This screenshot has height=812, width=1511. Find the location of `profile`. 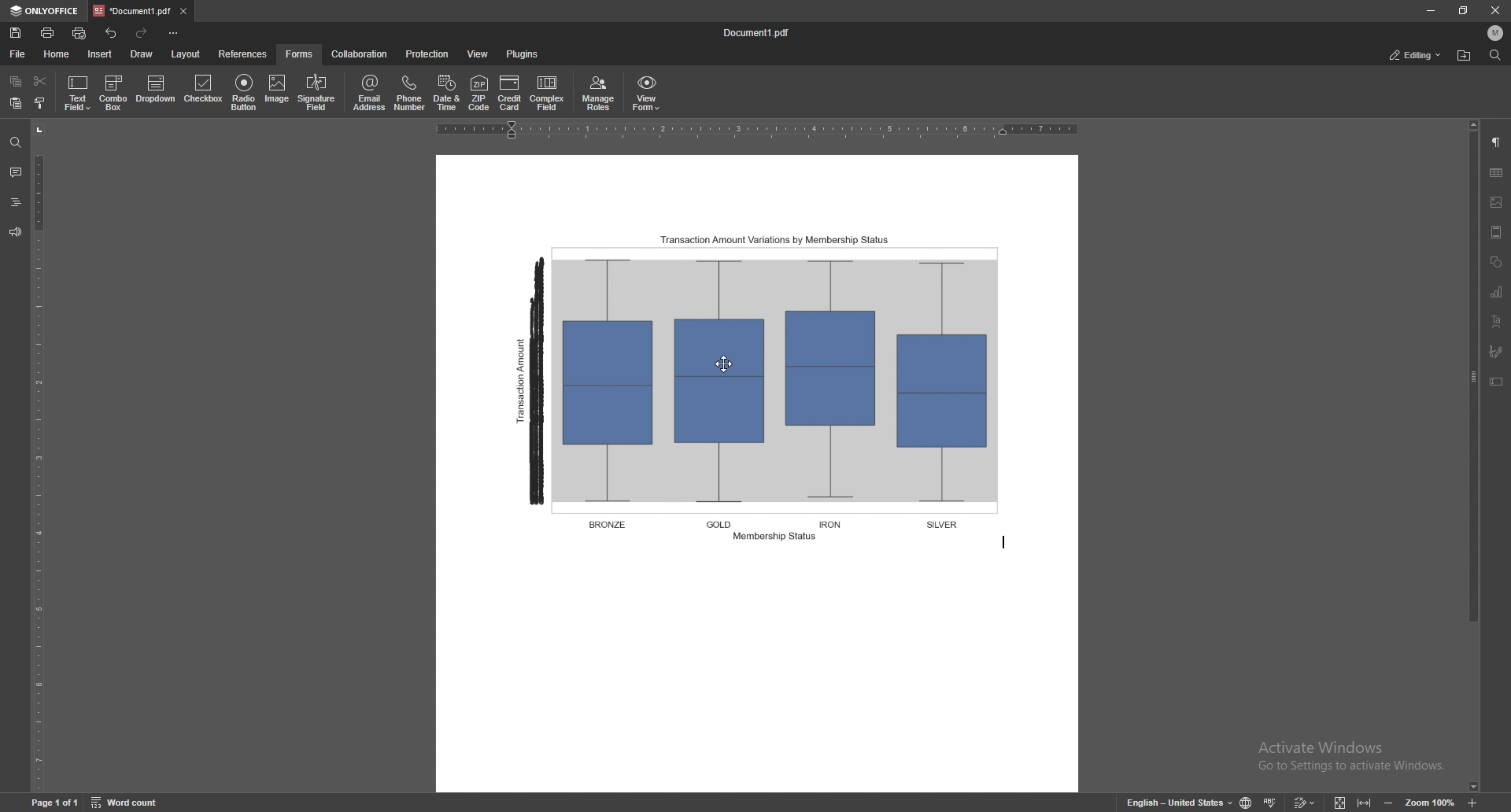

profile is located at coordinates (1495, 32).